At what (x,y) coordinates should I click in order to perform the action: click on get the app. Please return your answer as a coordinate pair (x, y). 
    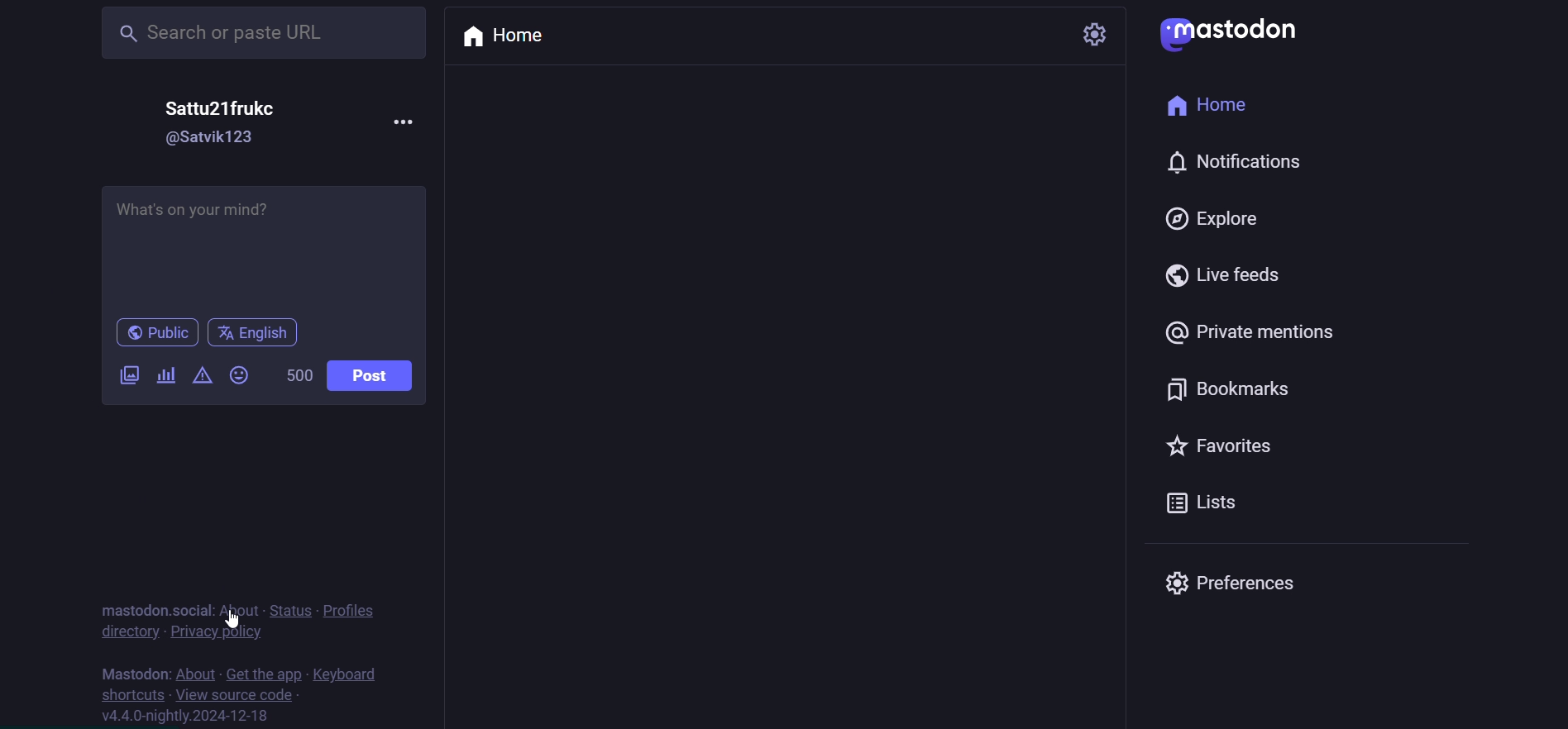
    Looking at the image, I should click on (264, 671).